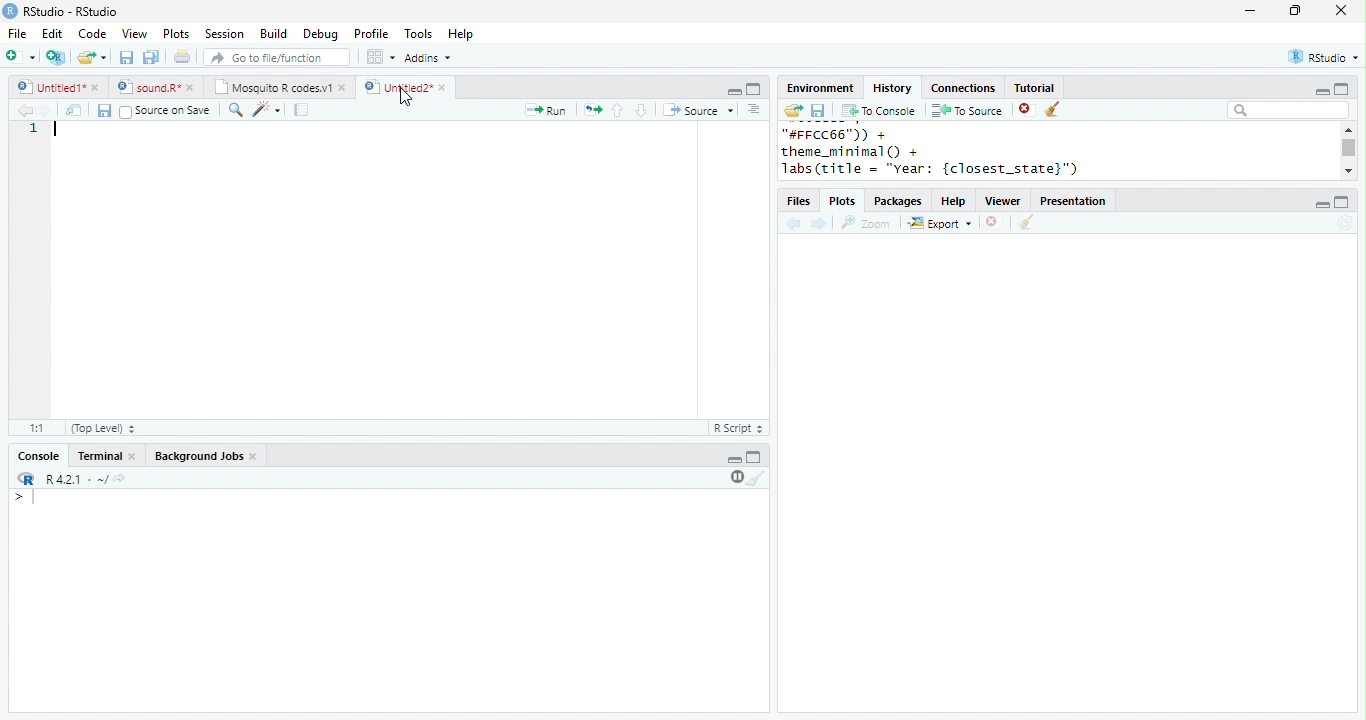 The width and height of the screenshot is (1366, 720). Describe the element at coordinates (866, 223) in the screenshot. I see `Zoom` at that location.